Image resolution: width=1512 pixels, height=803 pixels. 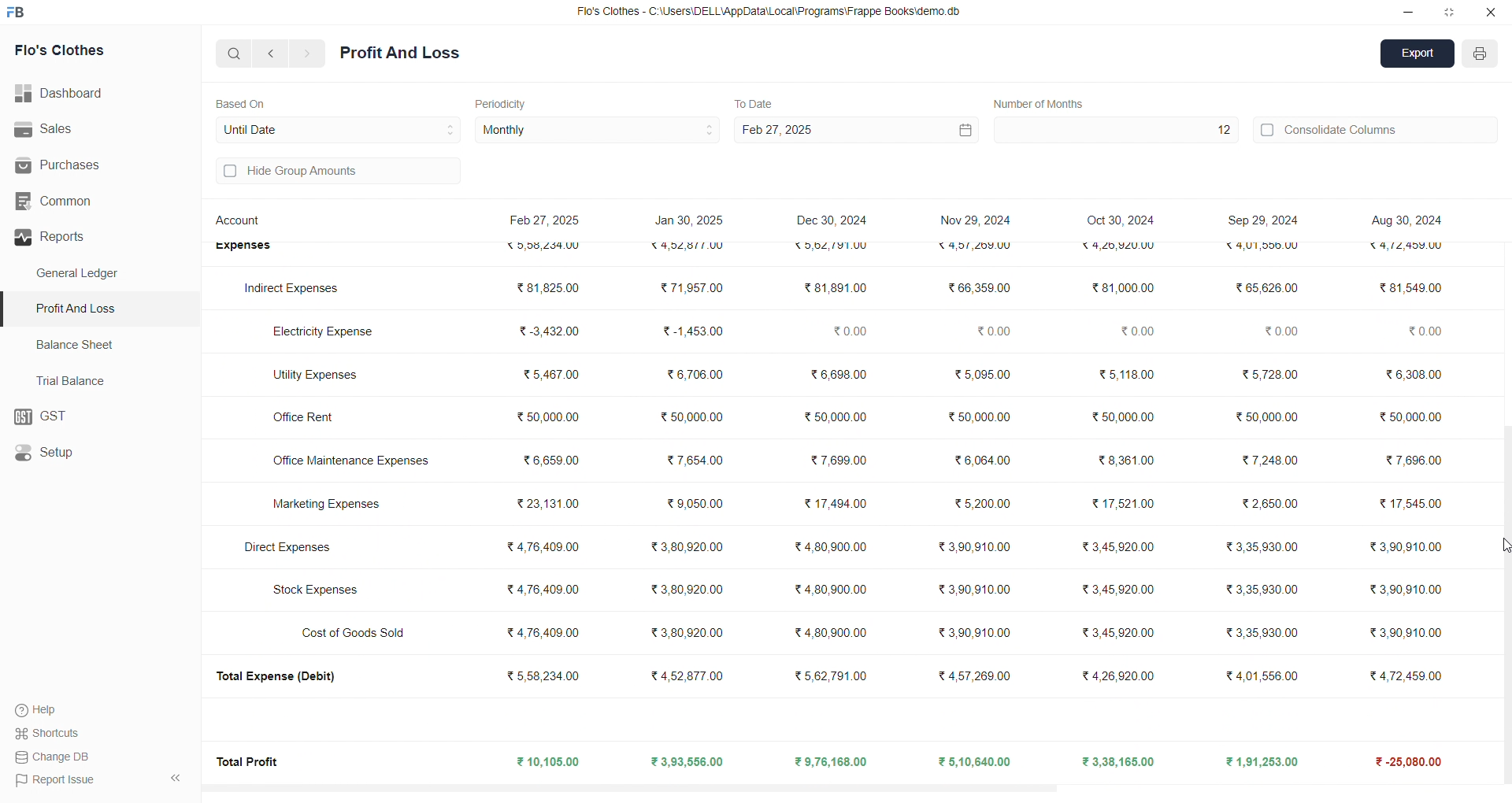 What do you see at coordinates (691, 289) in the screenshot?
I see `₹ 71,957.00` at bounding box center [691, 289].